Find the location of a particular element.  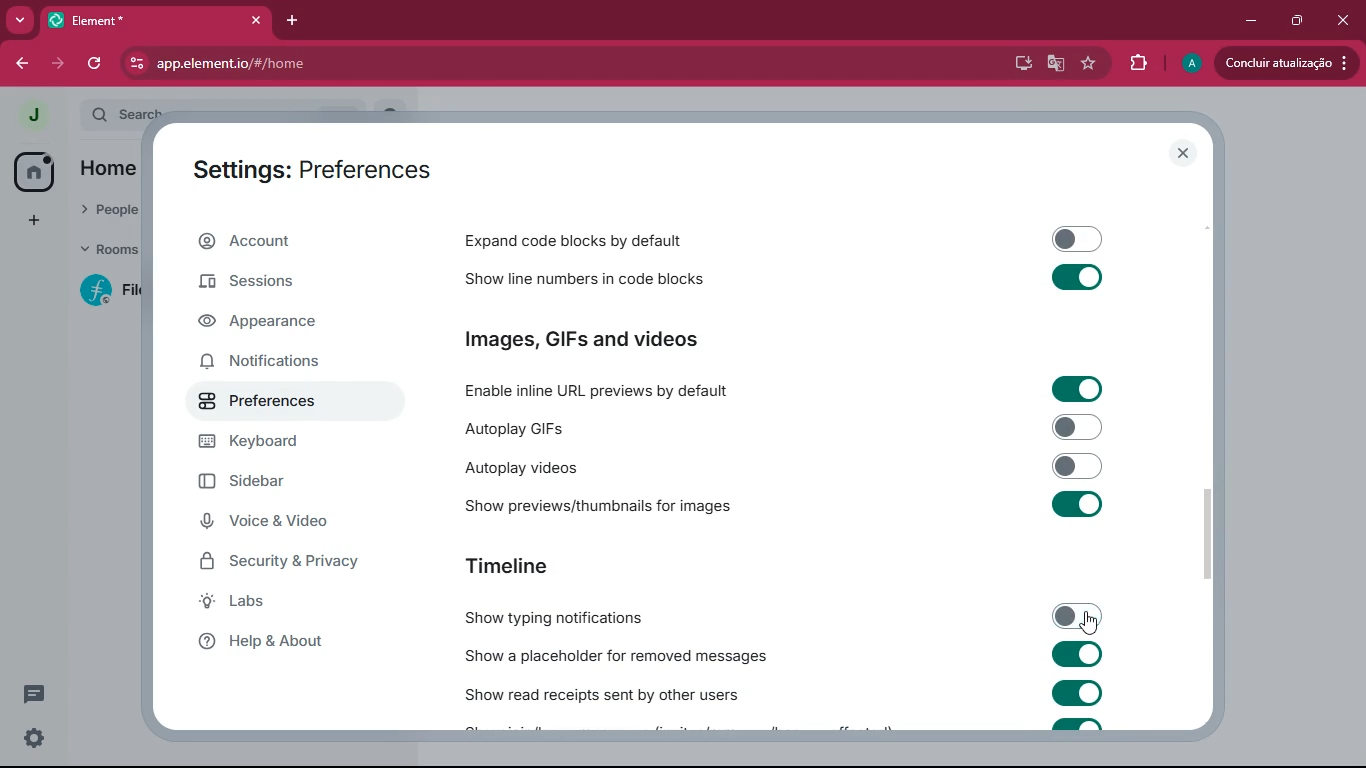

maximize is located at coordinates (1299, 21).